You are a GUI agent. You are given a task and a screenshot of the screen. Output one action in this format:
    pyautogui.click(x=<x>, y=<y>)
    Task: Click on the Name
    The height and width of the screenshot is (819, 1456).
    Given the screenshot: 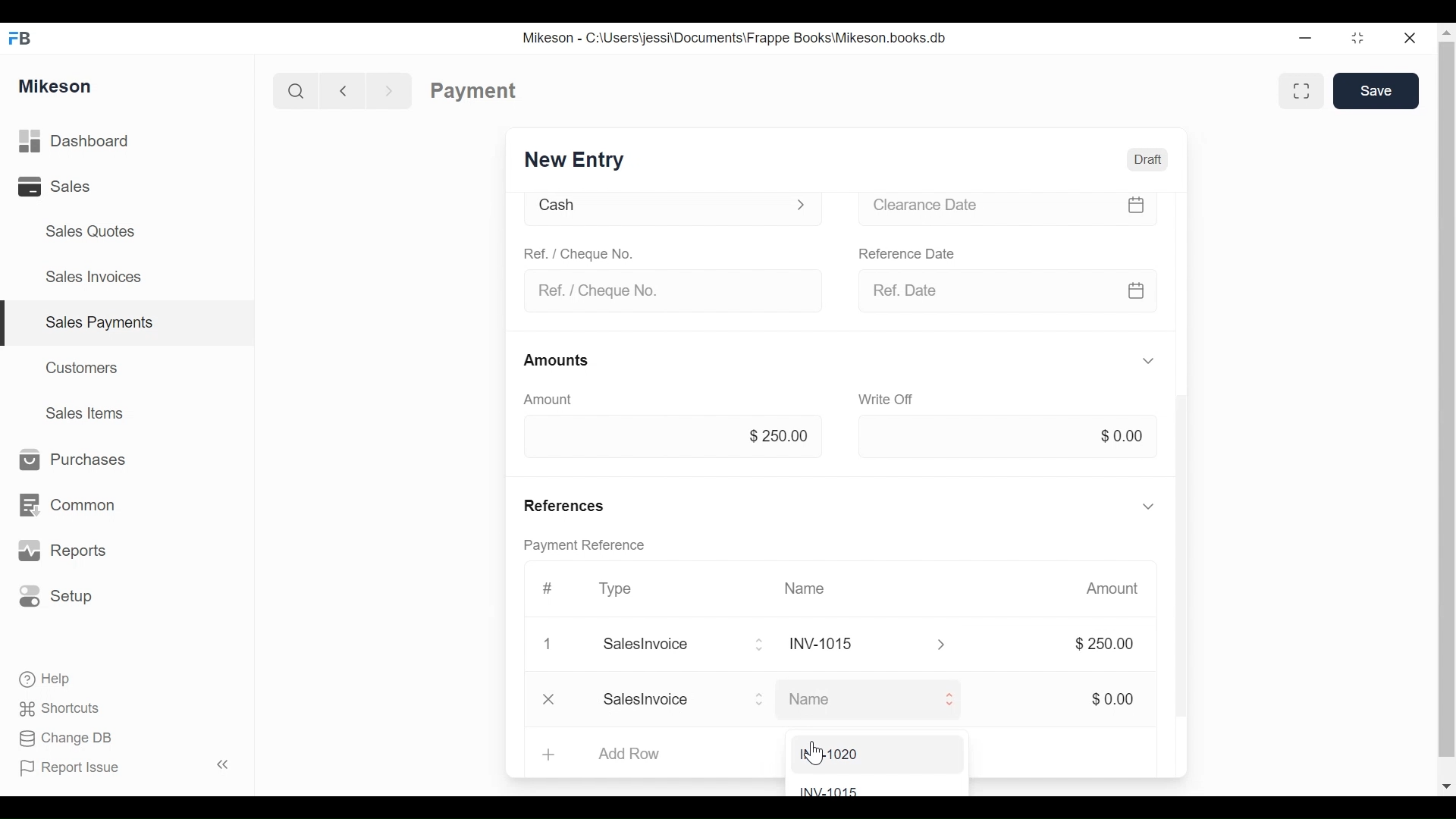 What is the action you would take?
    pyautogui.click(x=818, y=588)
    